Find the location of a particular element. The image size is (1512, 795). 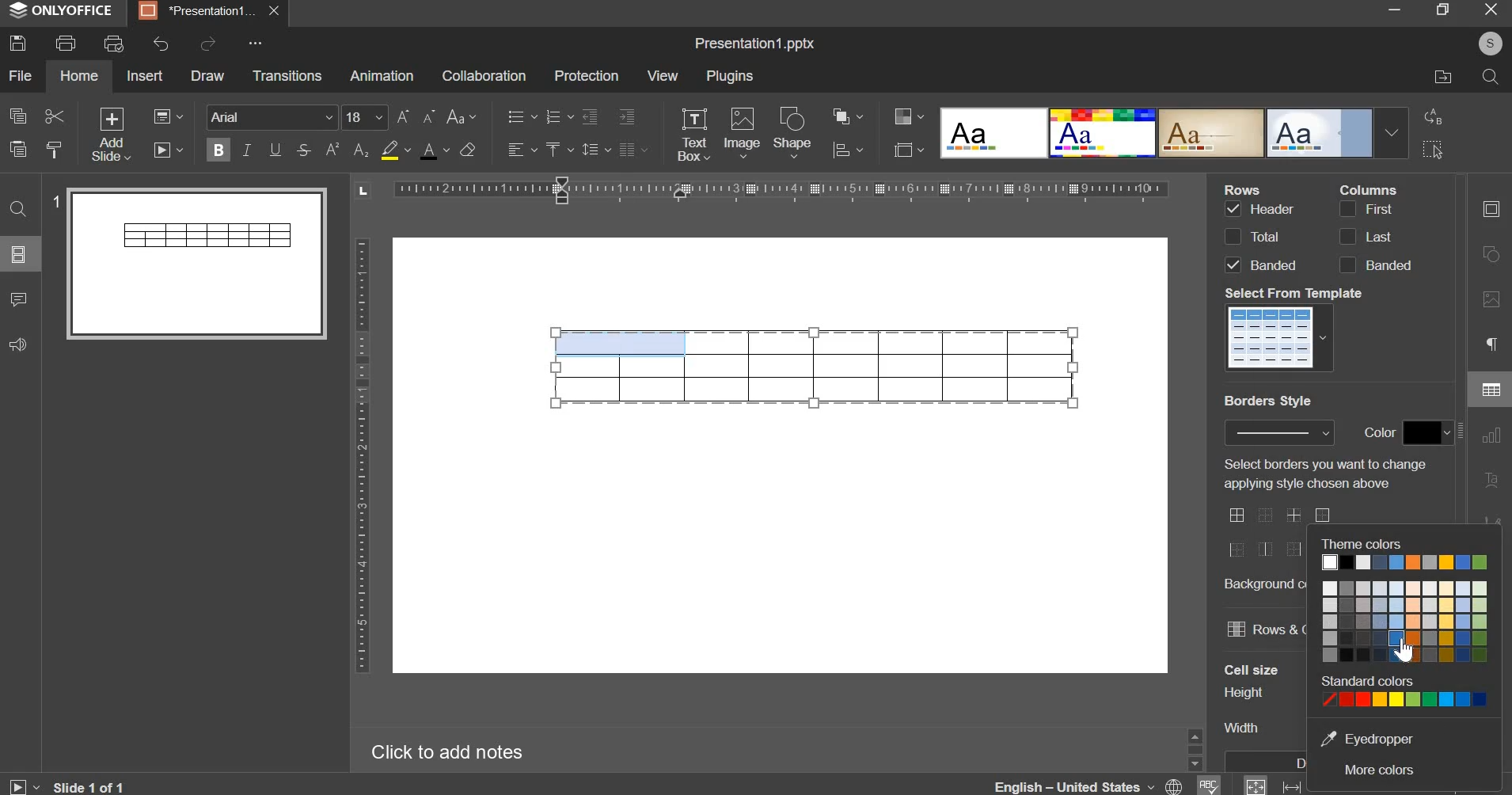

find is located at coordinates (19, 209).